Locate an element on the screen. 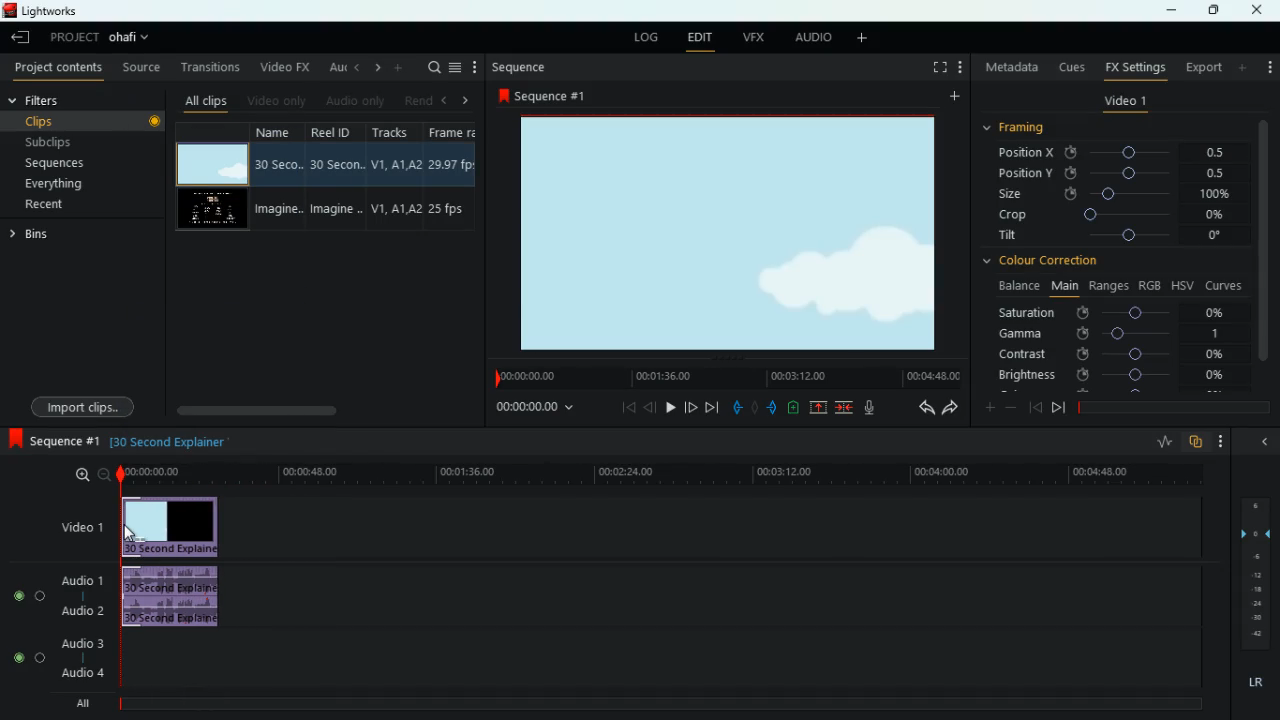  audio only is located at coordinates (355, 100).